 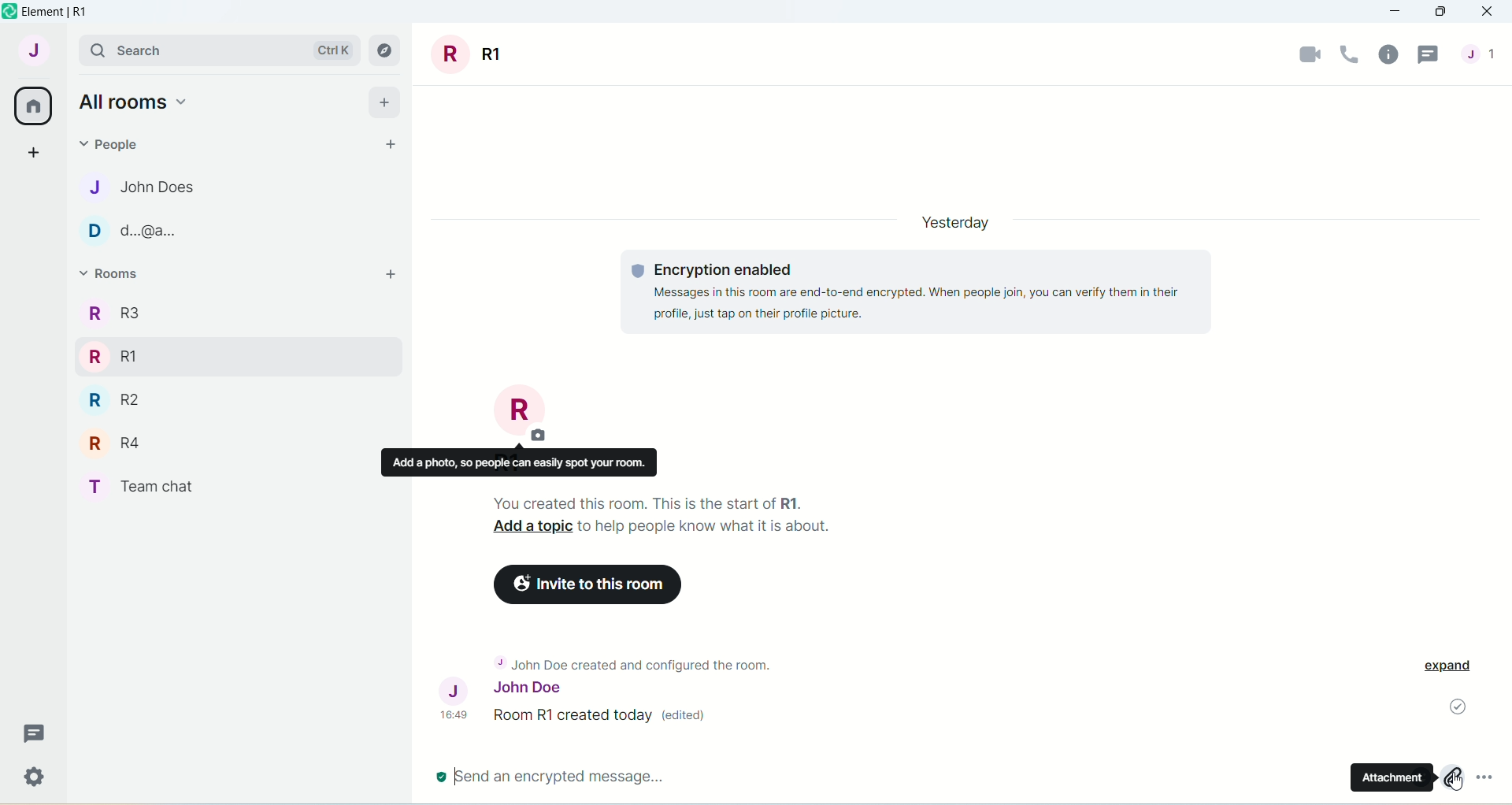 What do you see at coordinates (606, 717) in the screenshot?
I see `Room R1 created today (edited)` at bounding box center [606, 717].